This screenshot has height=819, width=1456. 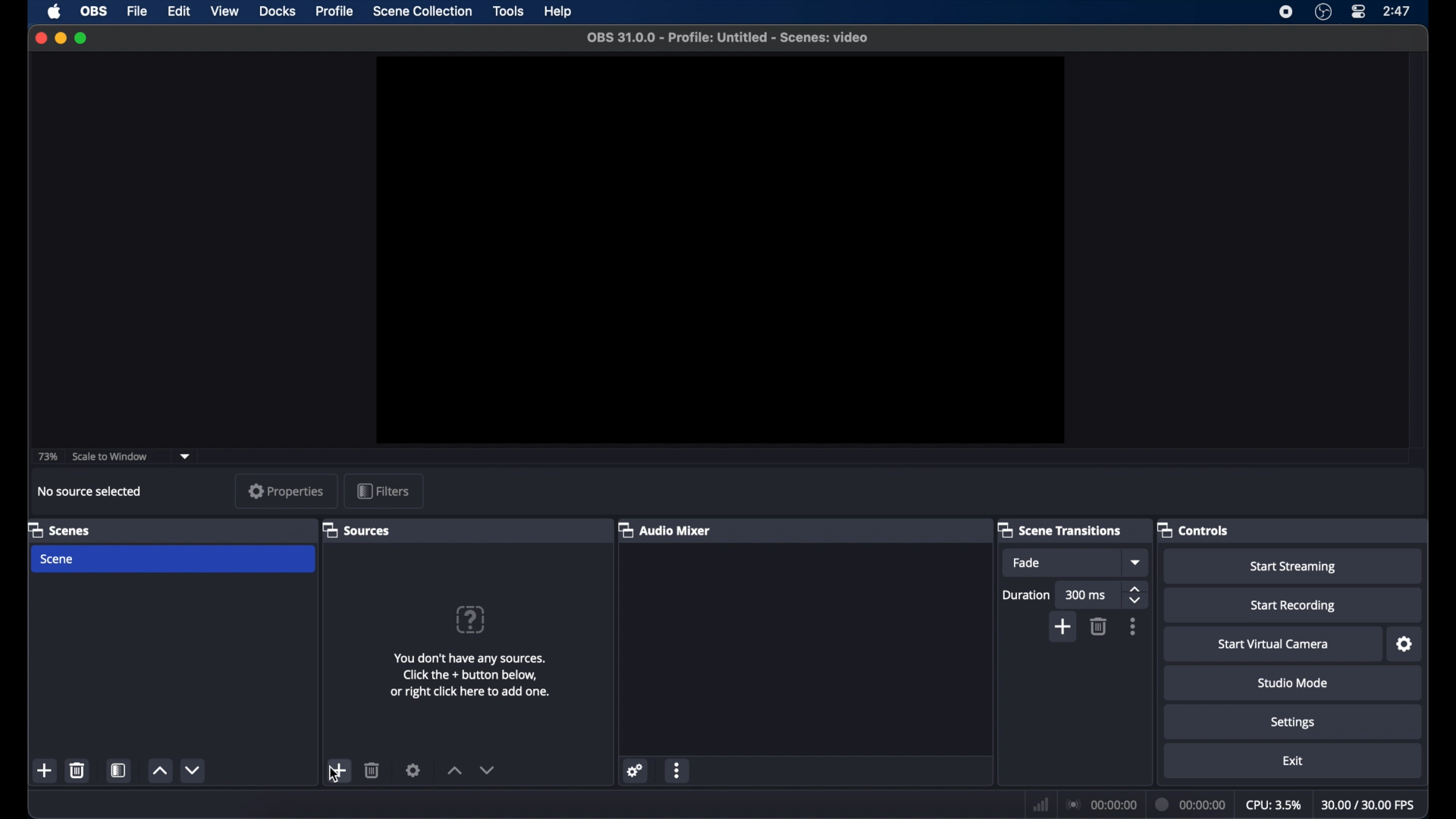 What do you see at coordinates (454, 771) in the screenshot?
I see `increment button` at bounding box center [454, 771].